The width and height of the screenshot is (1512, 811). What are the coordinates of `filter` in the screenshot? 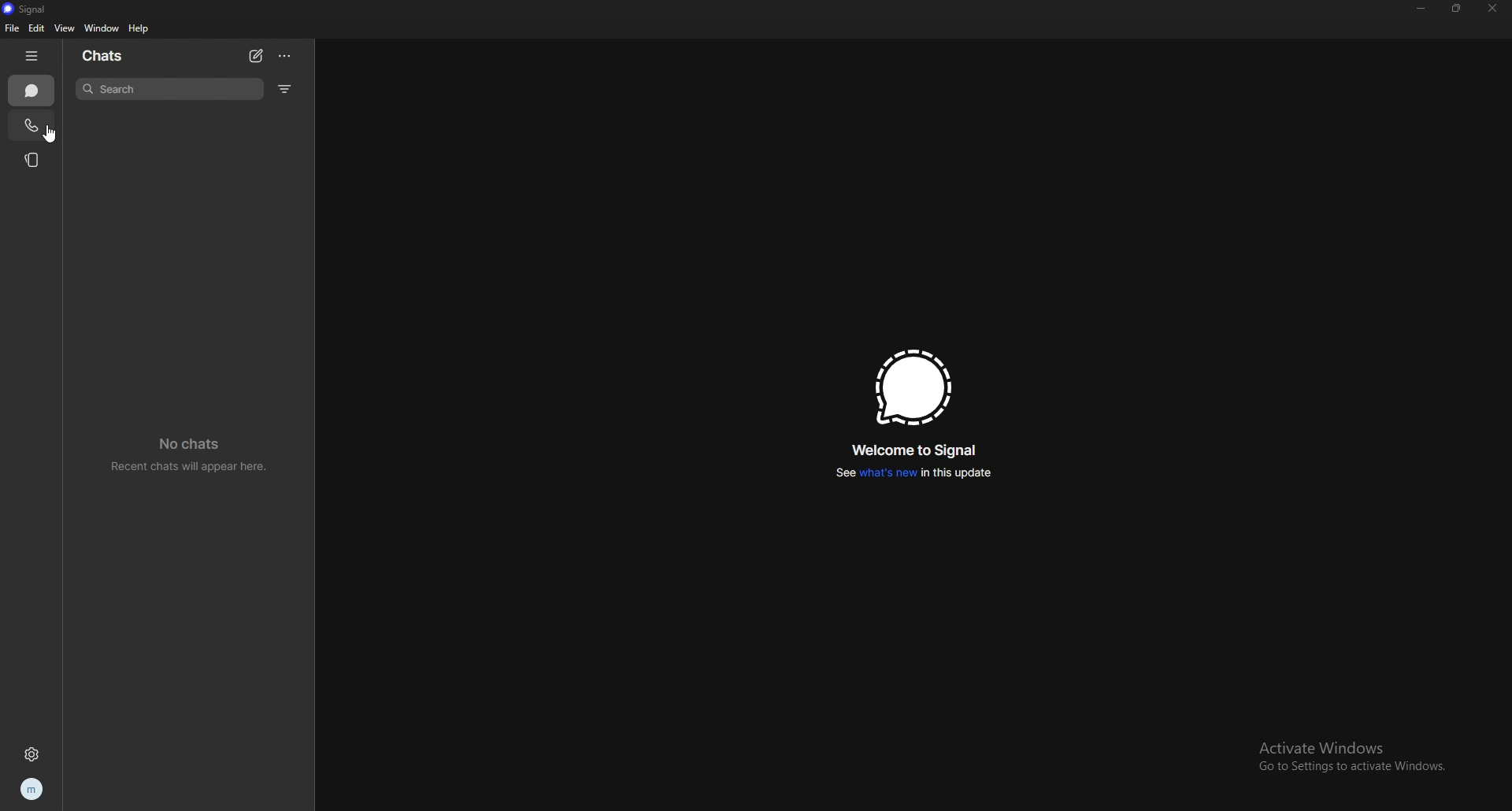 It's located at (284, 89).